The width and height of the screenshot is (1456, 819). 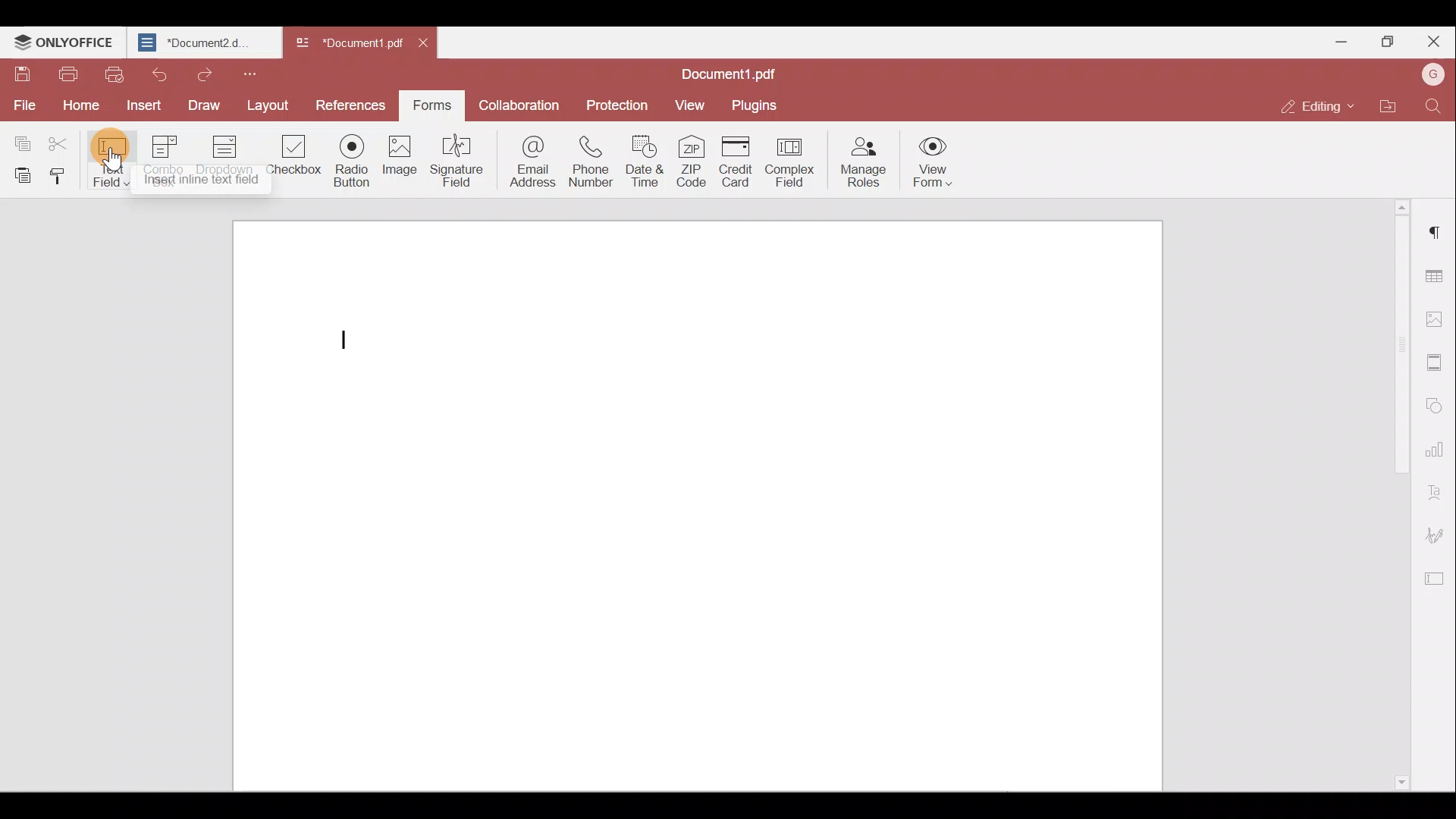 What do you see at coordinates (352, 162) in the screenshot?
I see `Radio button` at bounding box center [352, 162].